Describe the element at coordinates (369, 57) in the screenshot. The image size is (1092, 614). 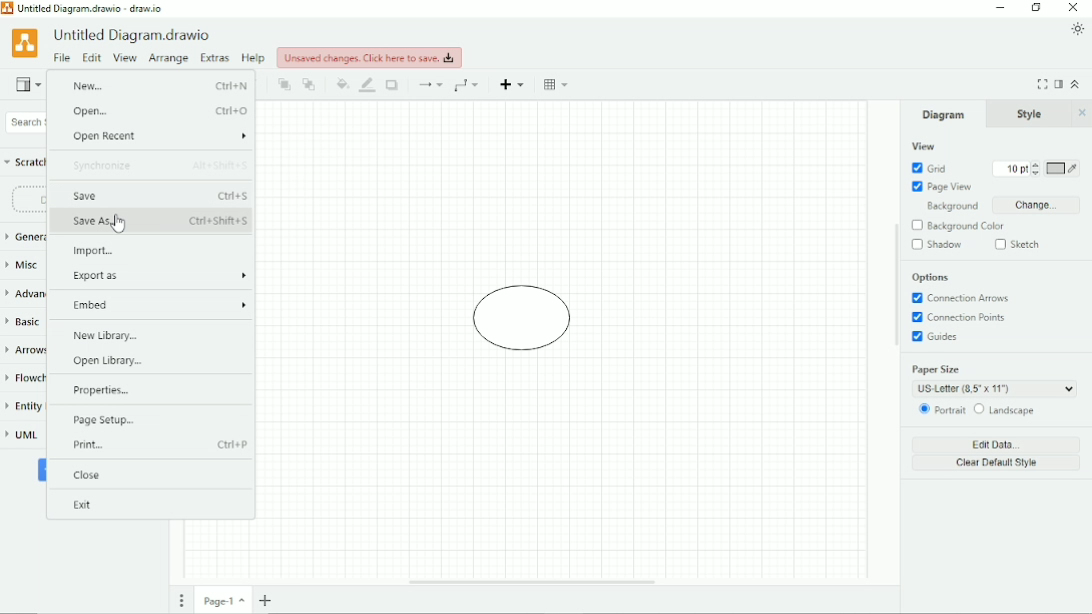
I see `Unsaved changes. click here to save. ` at that location.